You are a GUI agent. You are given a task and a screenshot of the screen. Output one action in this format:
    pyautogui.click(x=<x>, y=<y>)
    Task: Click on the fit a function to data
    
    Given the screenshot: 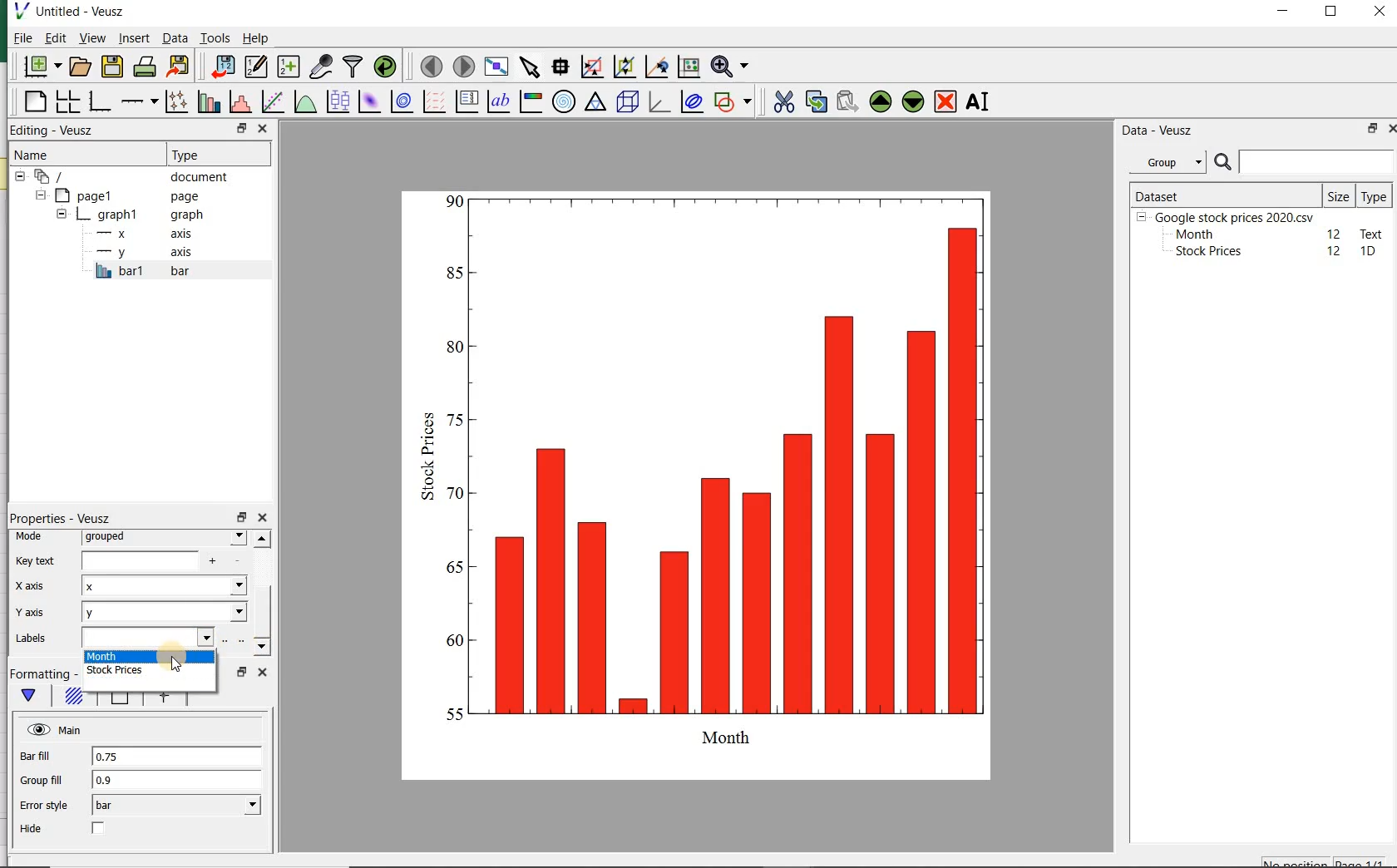 What is the action you would take?
    pyautogui.click(x=271, y=102)
    